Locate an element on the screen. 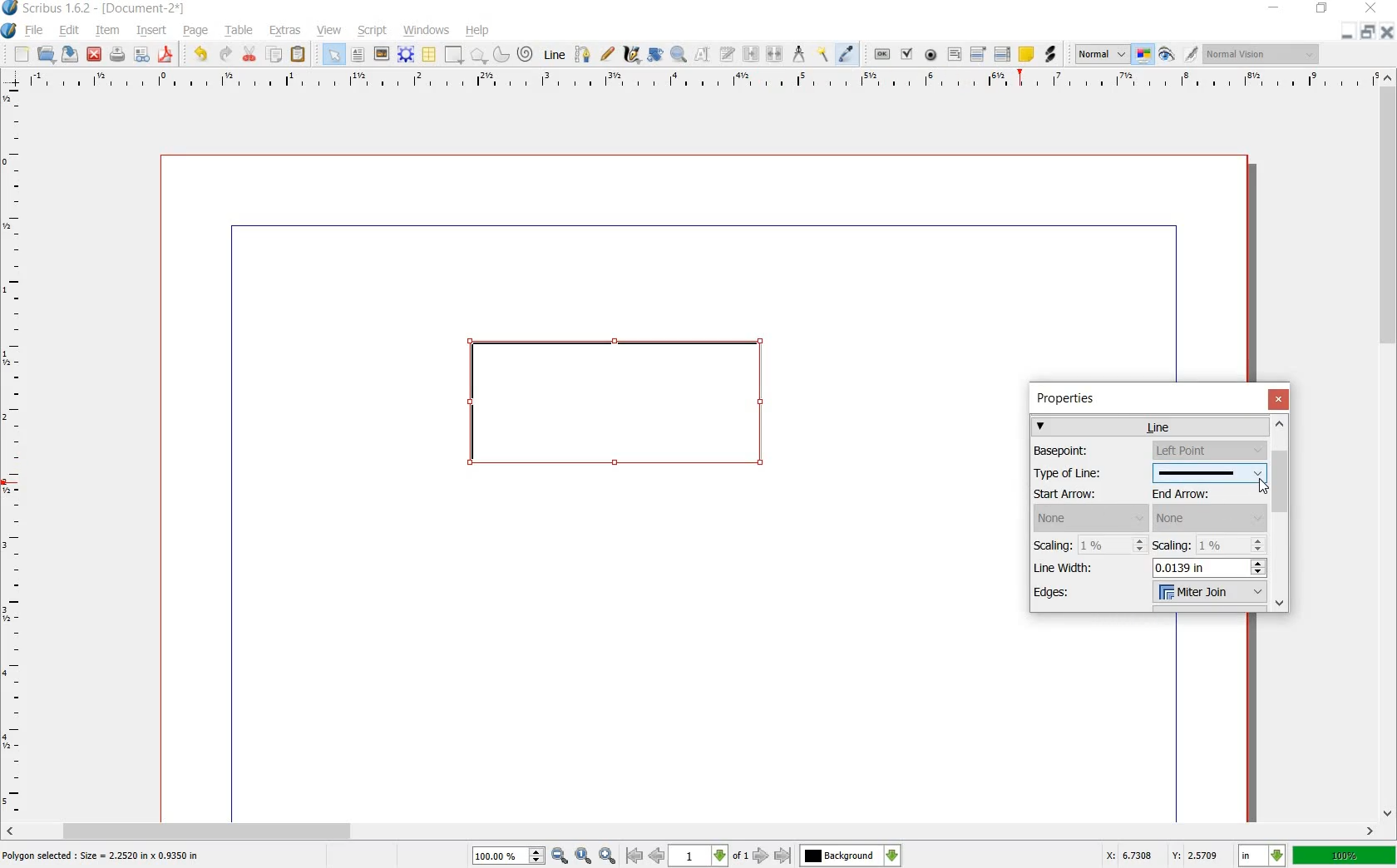 This screenshot has width=1397, height=868. PRFELIGHT VERIFIER is located at coordinates (141, 56).